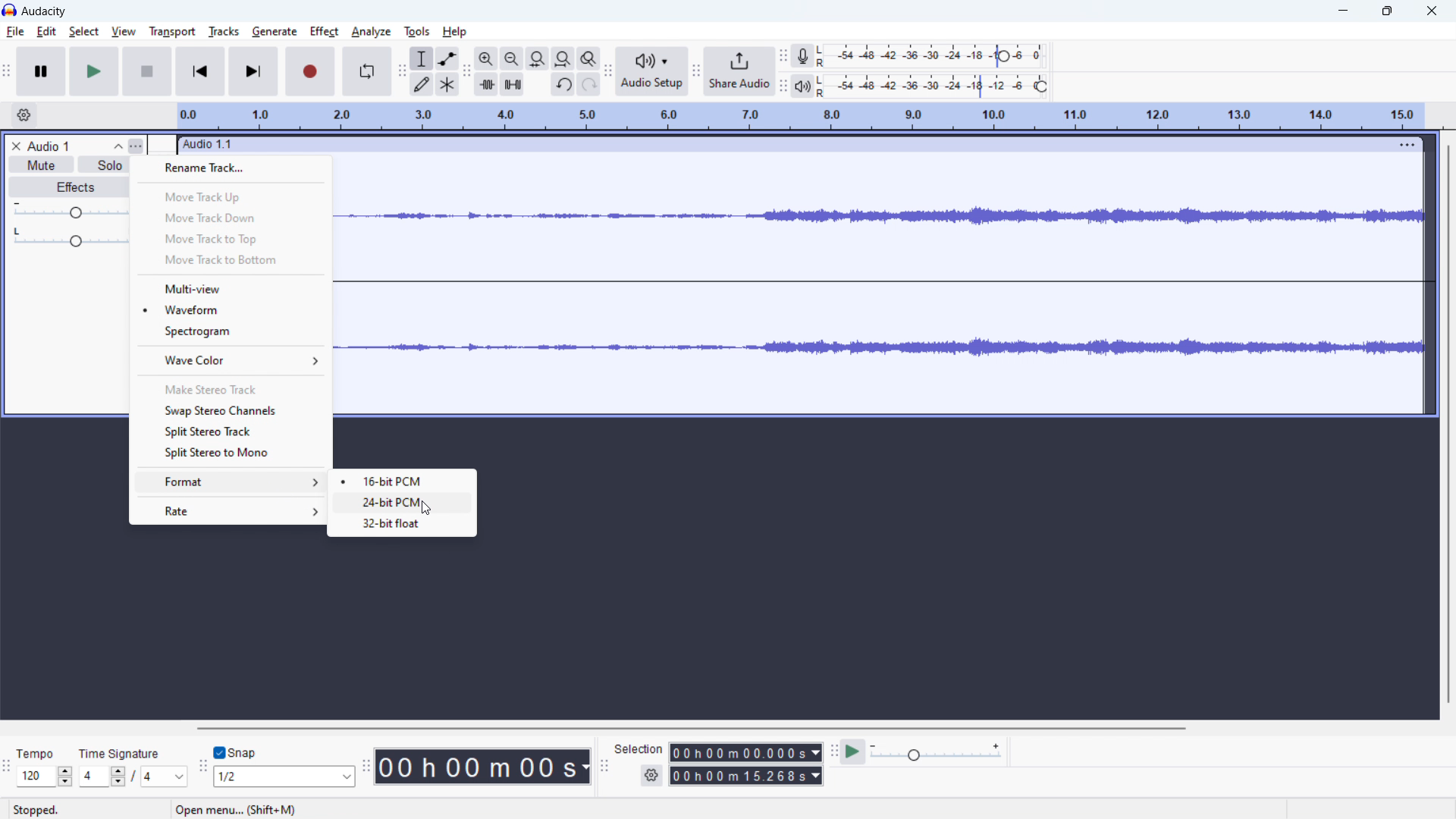  What do you see at coordinates (172, 31) in the screenshot?
I see `transport` at bounding box center [172, 31].